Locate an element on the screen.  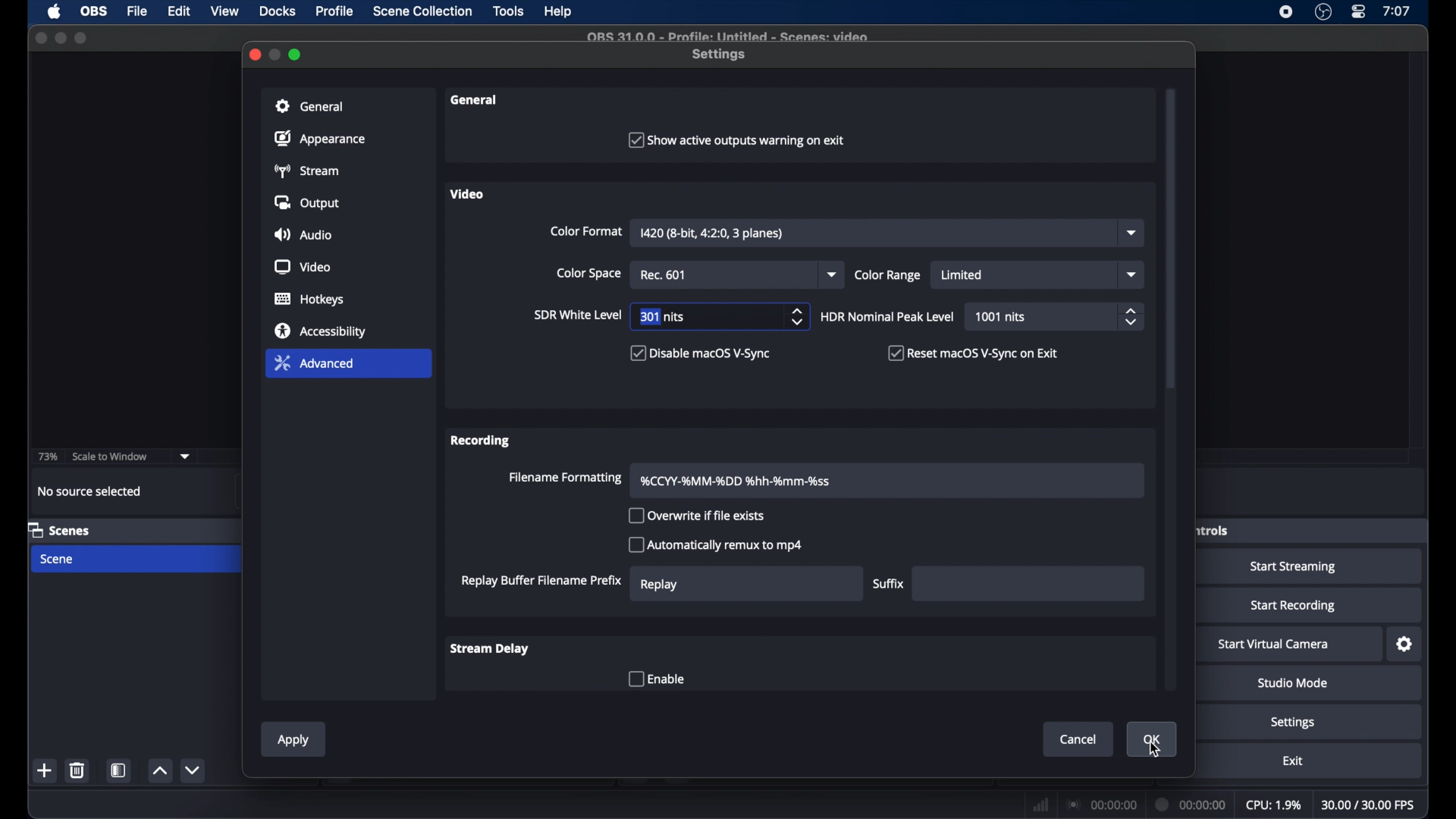
cancel is located at coordinates (1079, 739).